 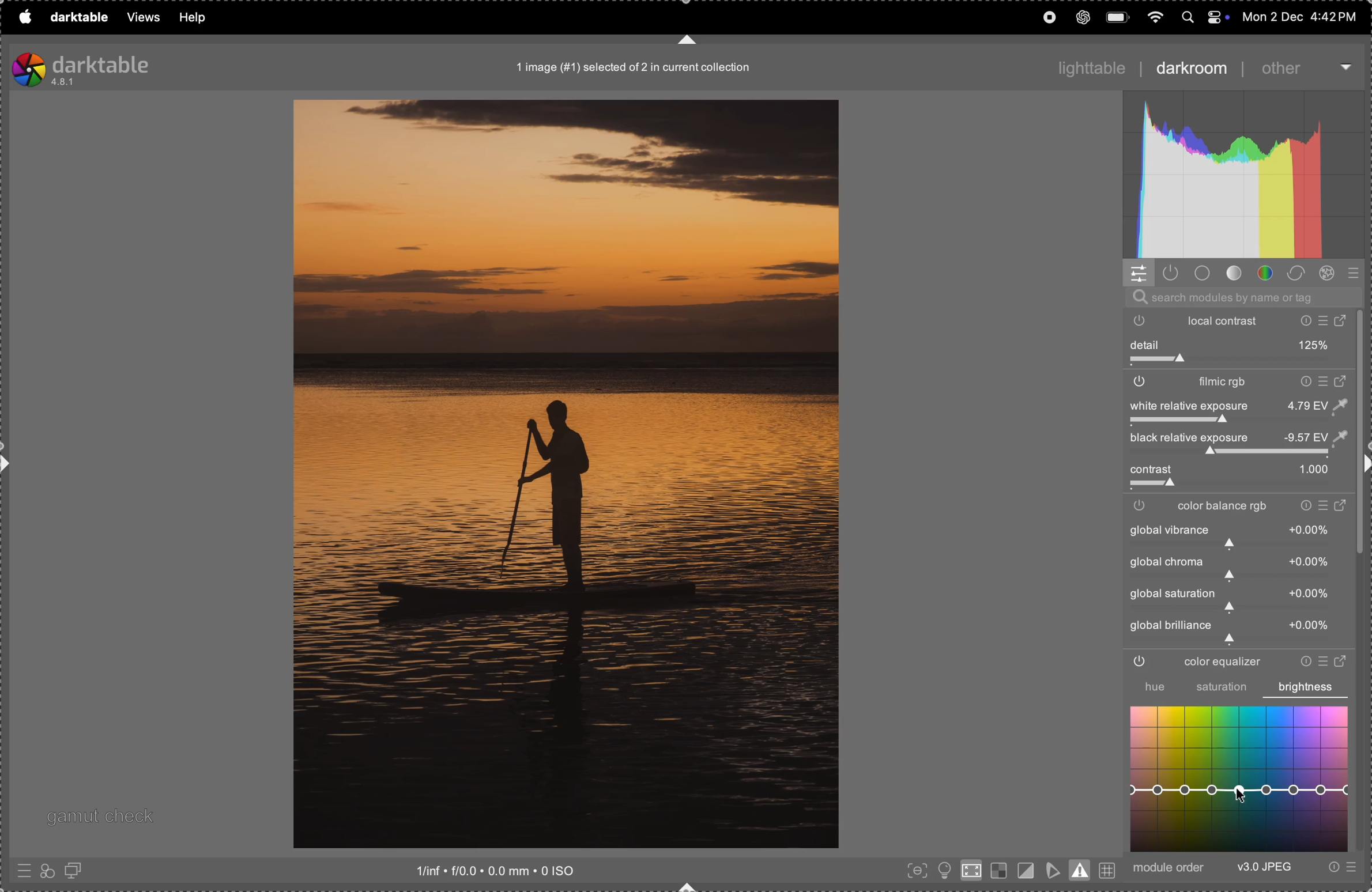 I want to click on quick access panel, so click(x=1139, y=273).